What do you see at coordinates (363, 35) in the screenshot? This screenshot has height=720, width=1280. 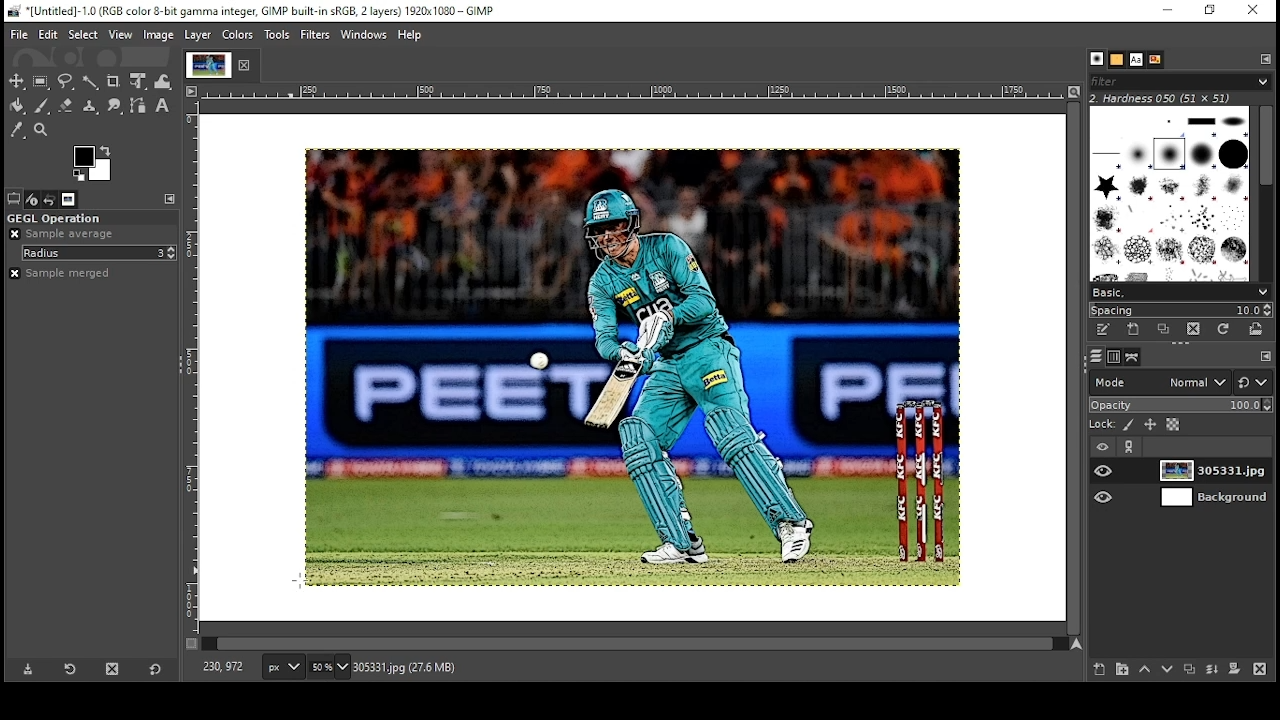 I see `windows` at bounding box center [363, 35].